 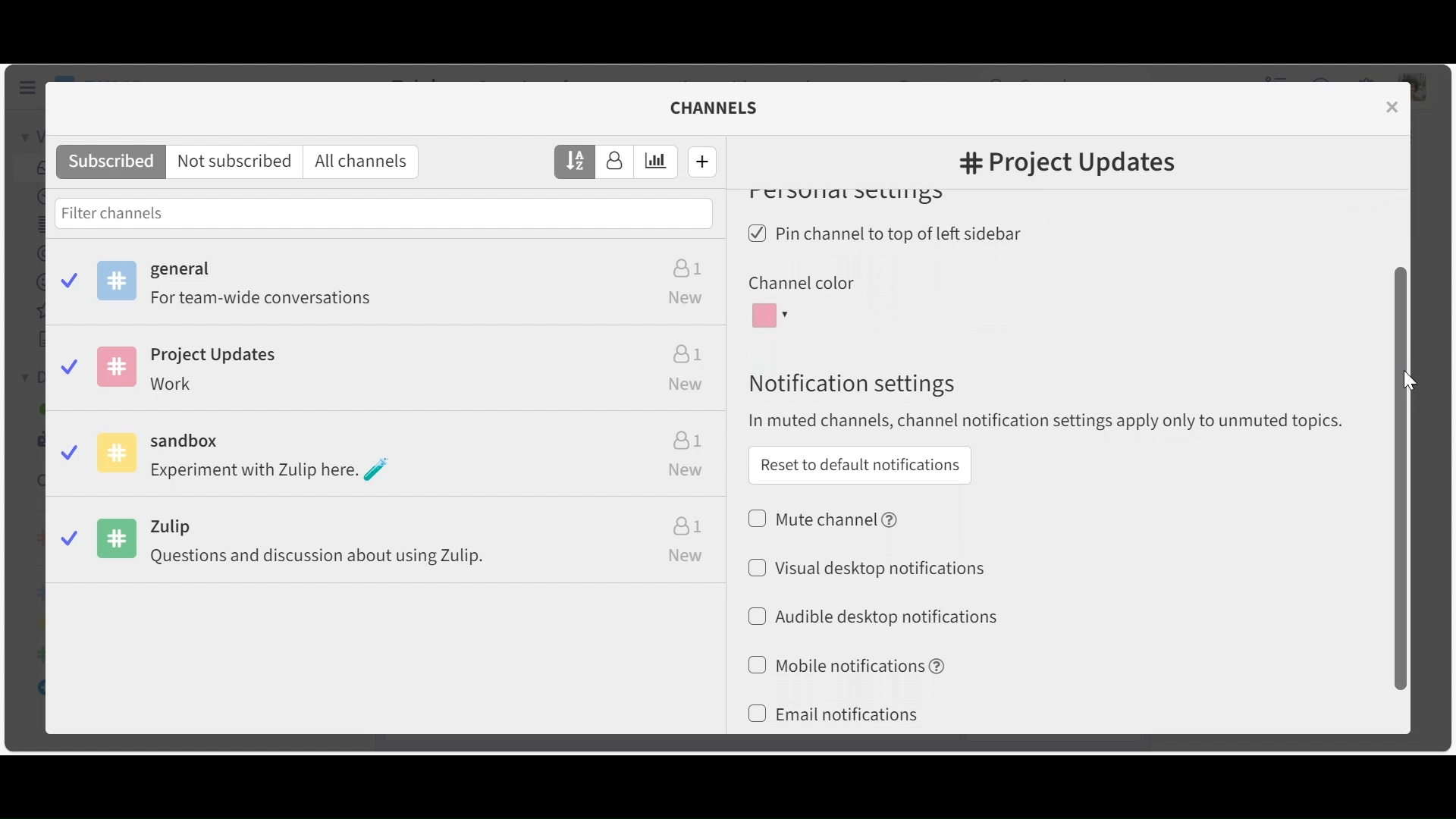 I want to click on Filter channels, so click(x=384, y=212).